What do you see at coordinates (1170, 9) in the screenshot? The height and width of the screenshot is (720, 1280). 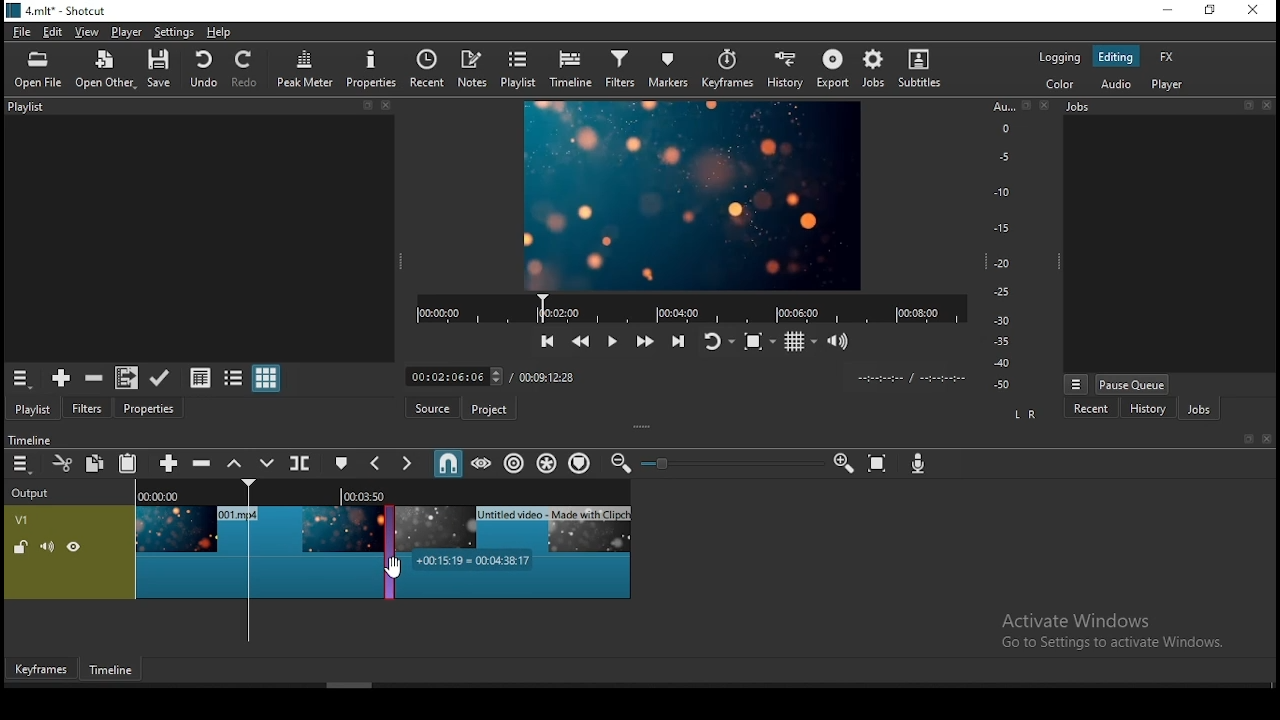 I see `minimize` at bounding box center [1170, 9].